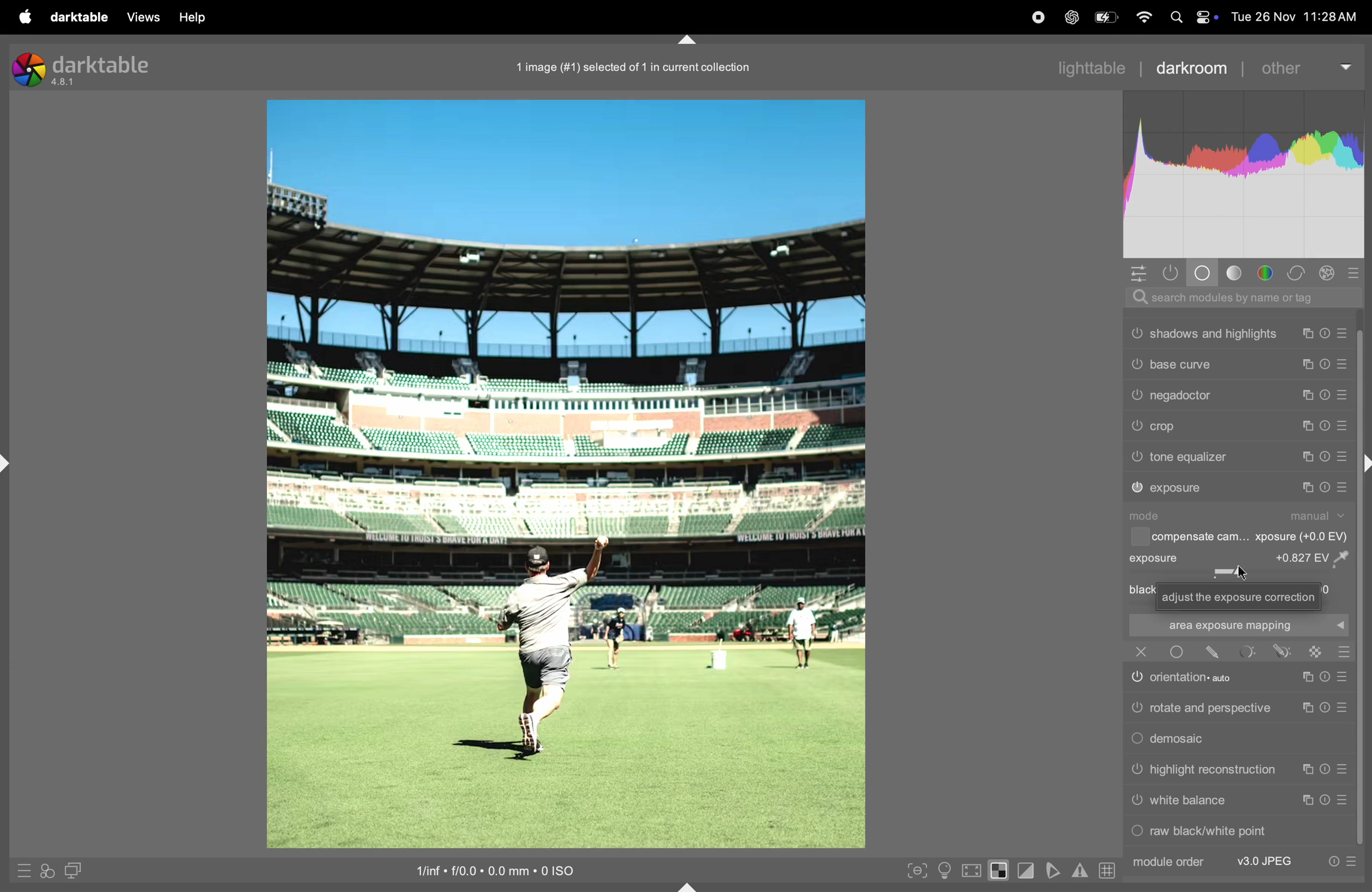 The width and height of the screenshot is (1372, 892). I want to click on apple menu, so click(22, 17).